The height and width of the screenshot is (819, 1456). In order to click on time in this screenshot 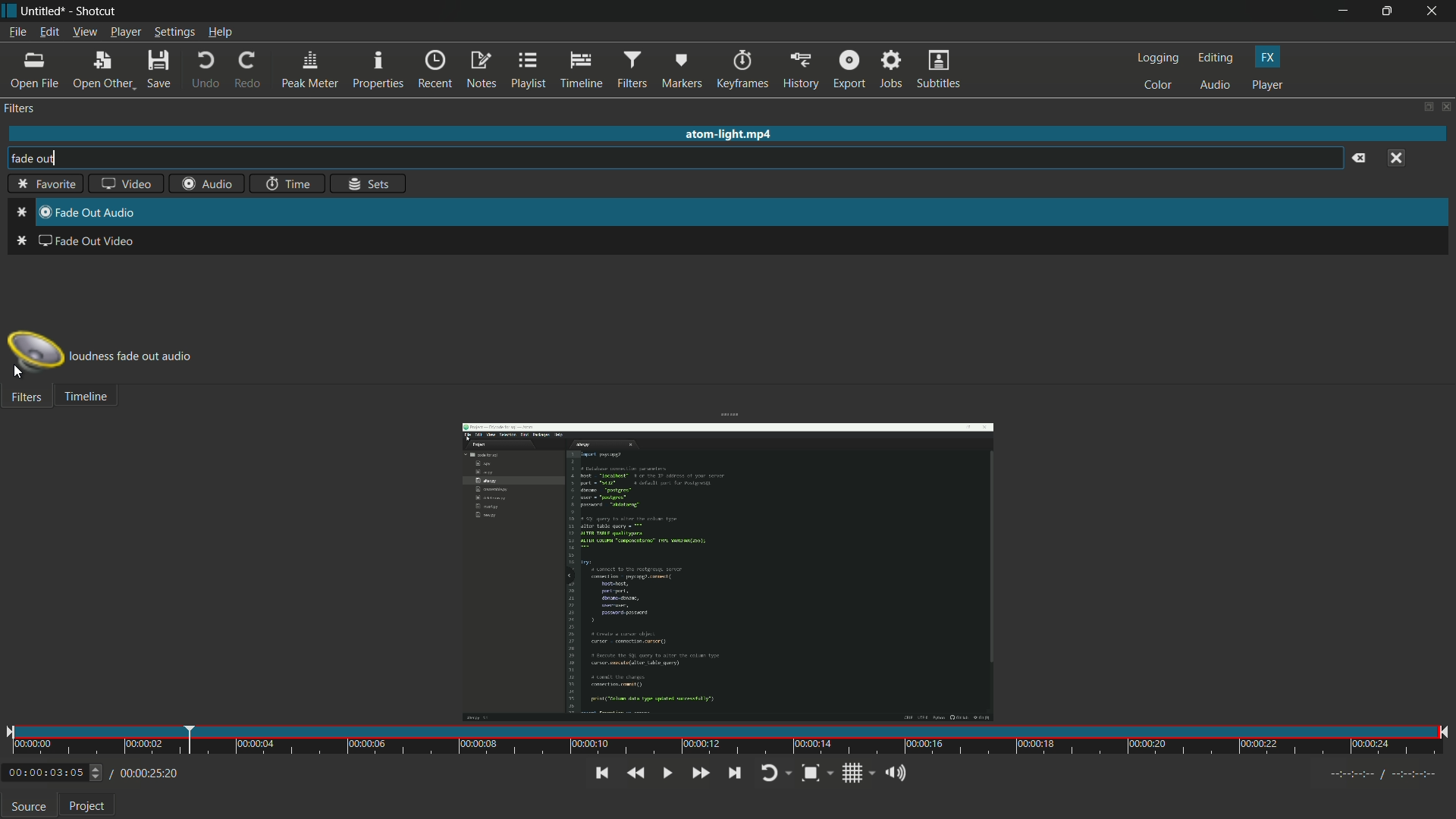, I will do `click(286, 185)`.